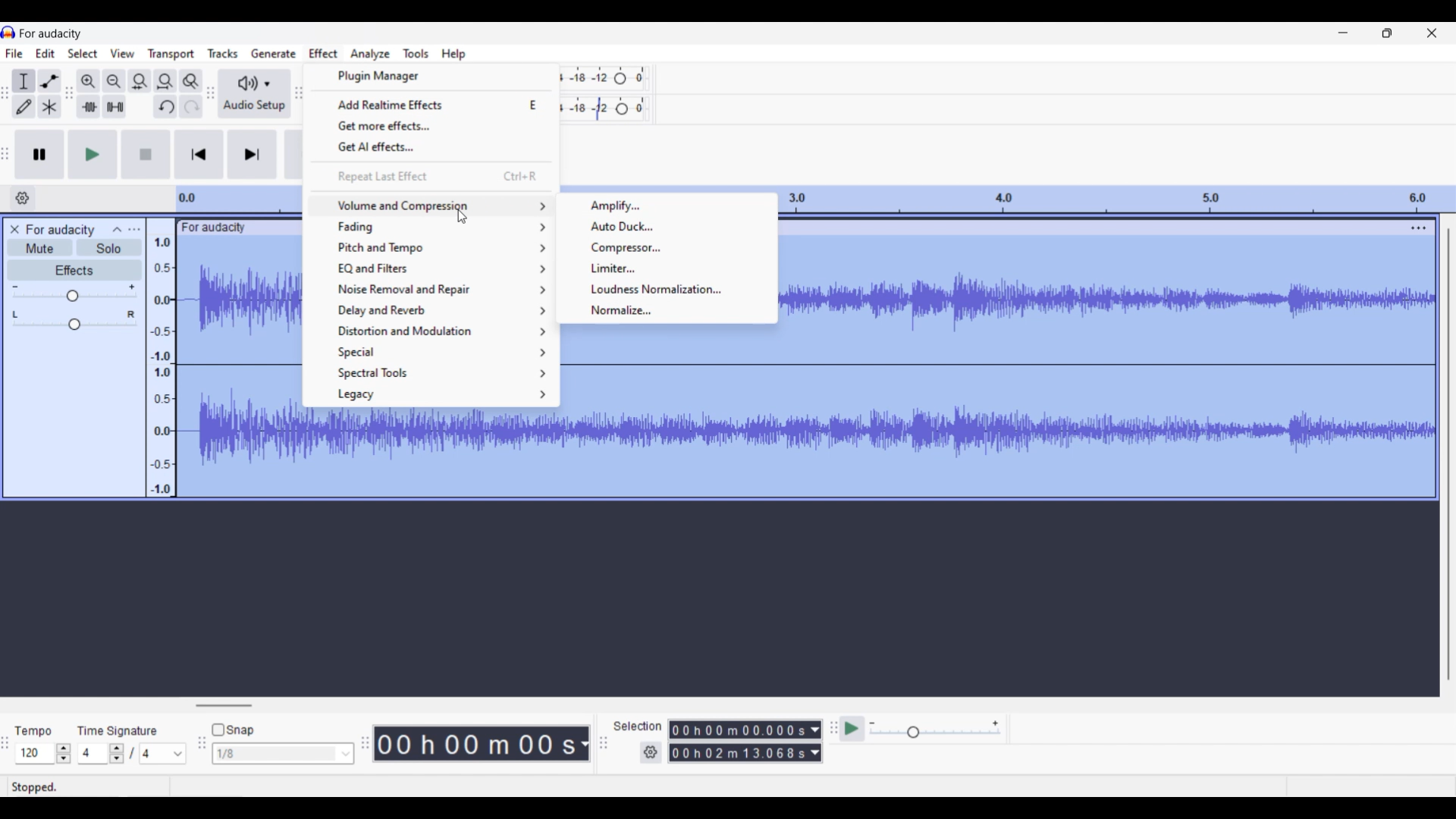 Image resolution: width=1456 pixels, height=819 pixels. I want to click on Zoom toggle, so click(190, 80).